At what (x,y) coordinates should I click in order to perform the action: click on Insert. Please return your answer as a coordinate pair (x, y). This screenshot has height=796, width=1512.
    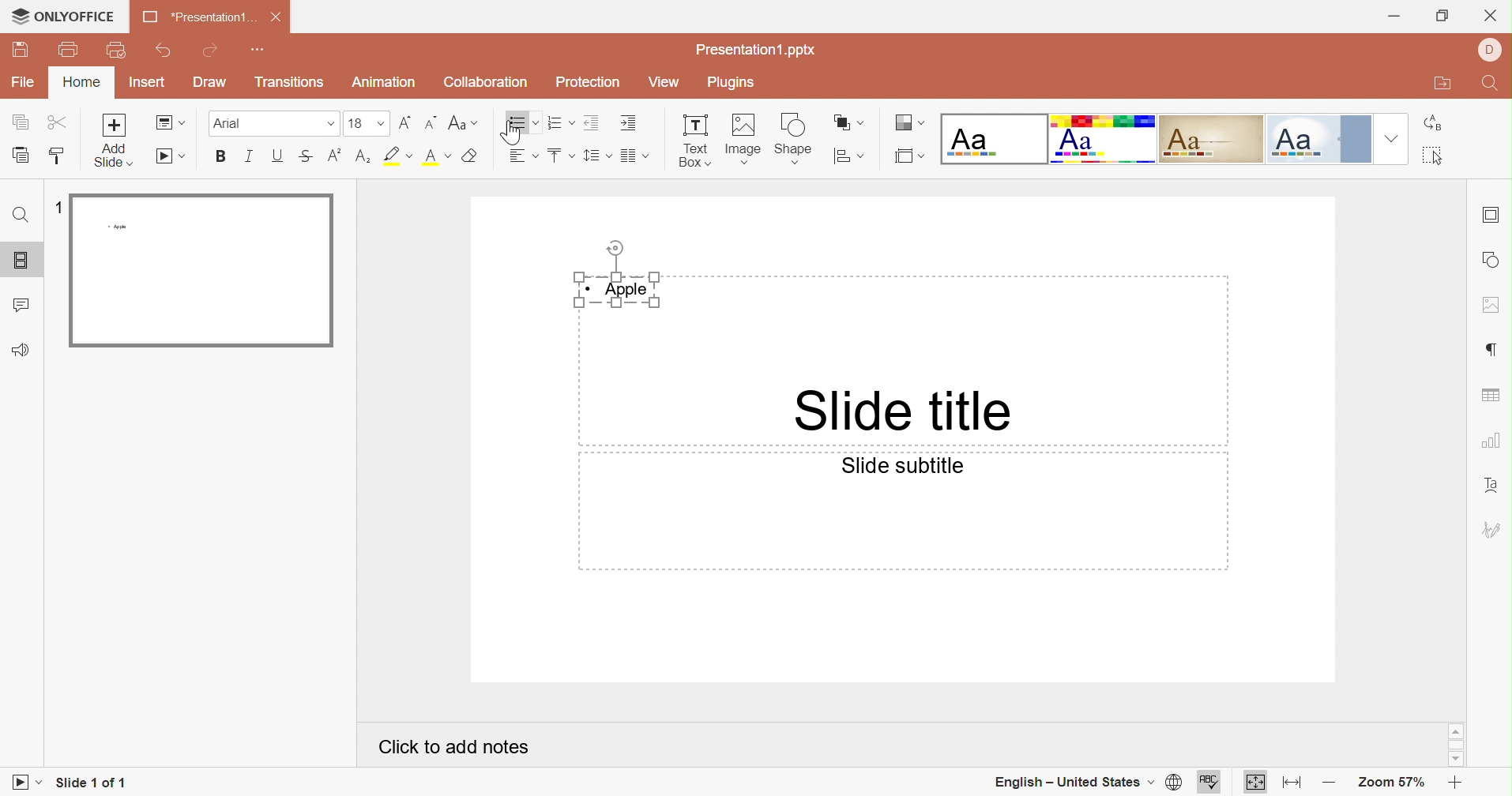
    Looking at the image, I should click on (149, 84).